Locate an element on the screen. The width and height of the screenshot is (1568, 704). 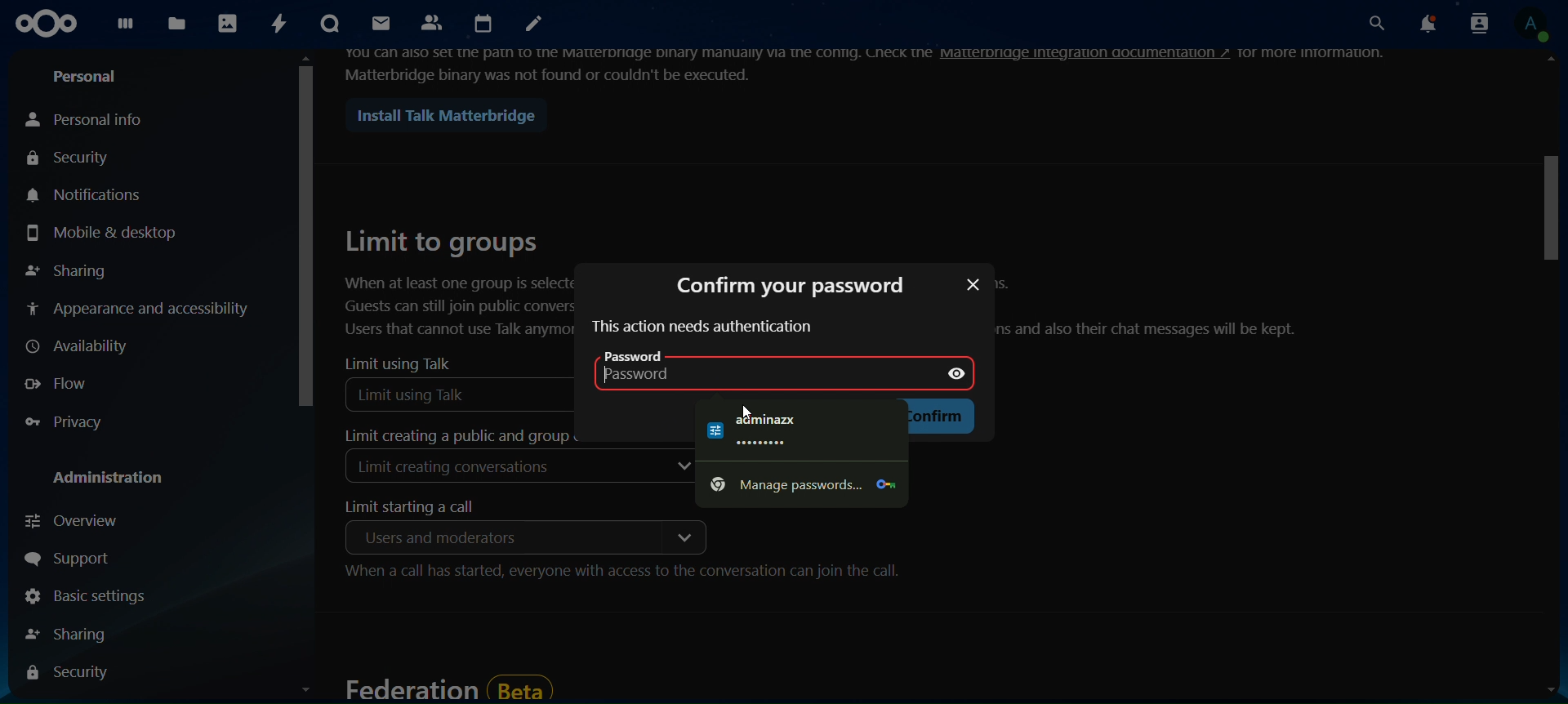
icon is located at coordinates (48, 24).